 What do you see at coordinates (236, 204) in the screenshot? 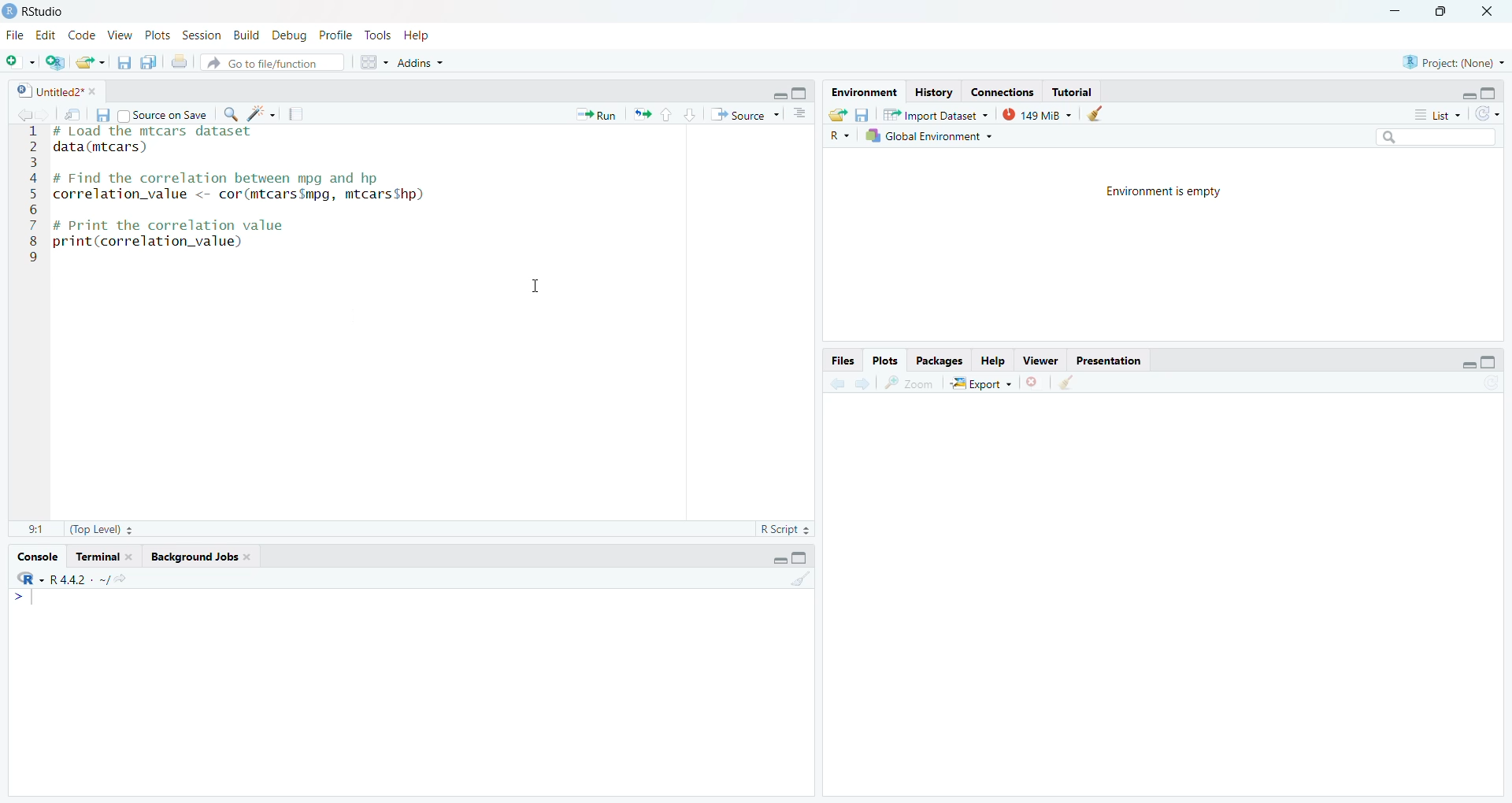
I see `Te Tyee SRT SILER Serger
data(mtcars)

# Find the correlation between mpg and hp
correlation_value <- cor(mtcars$mpg, mtcarsShp)
# Print the correlation value
print(correlation_value)` at bounding box center [236, 204].